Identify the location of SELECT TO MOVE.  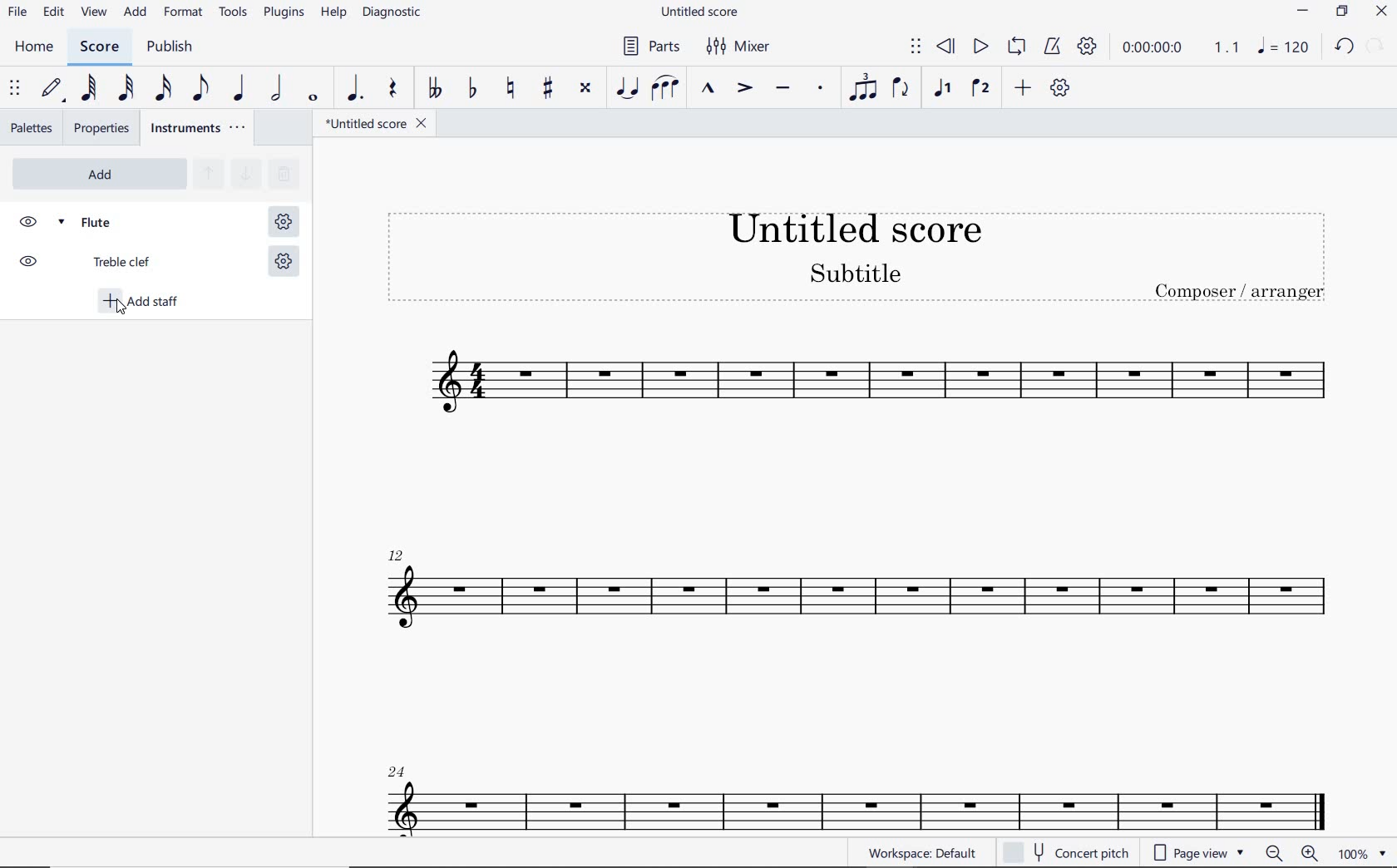
(915, 47).